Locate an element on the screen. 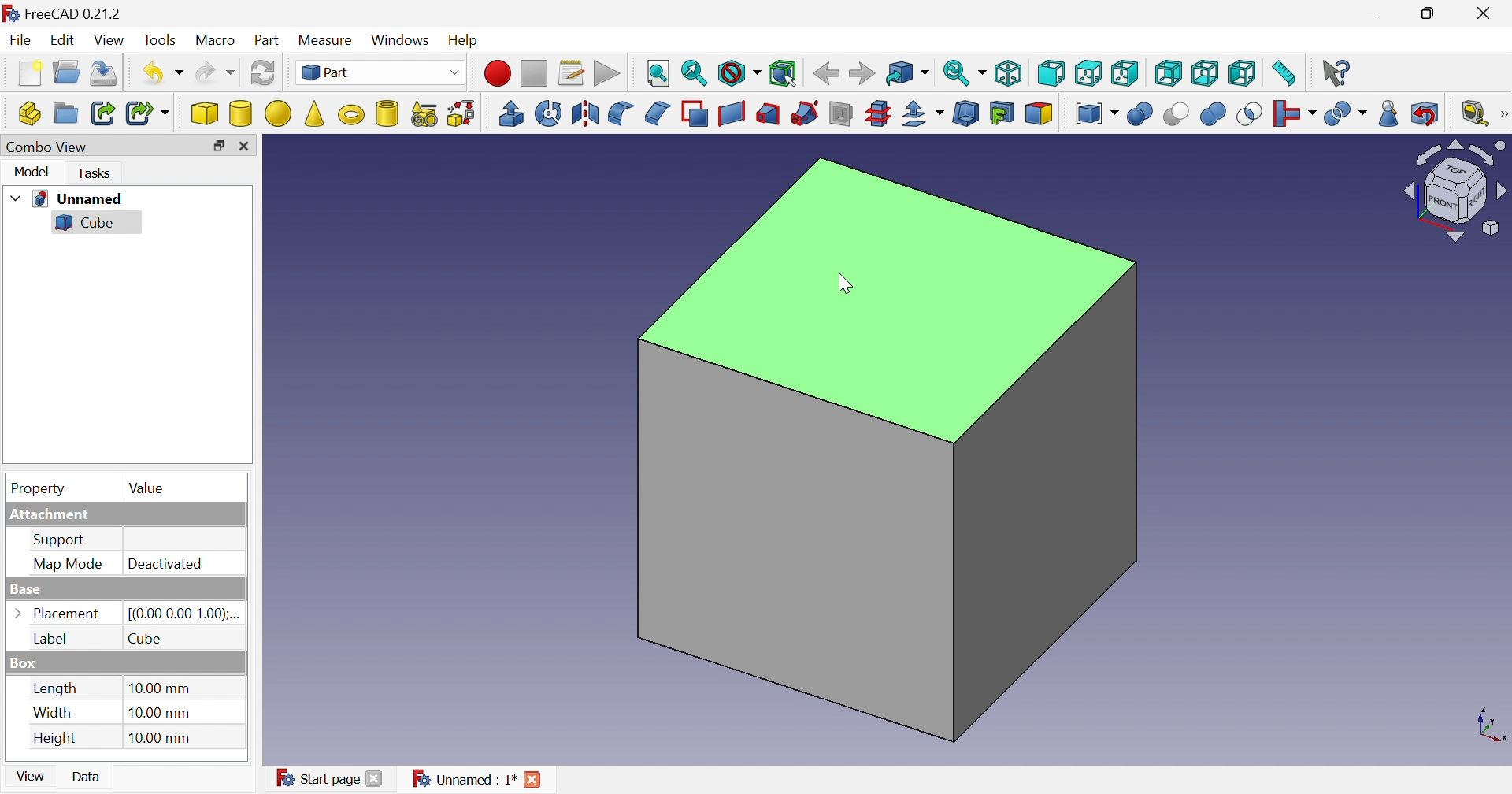 Image resolution: width=1512 pixels, height=794 pixels. Chamfer is located at coordinates (660, 113).